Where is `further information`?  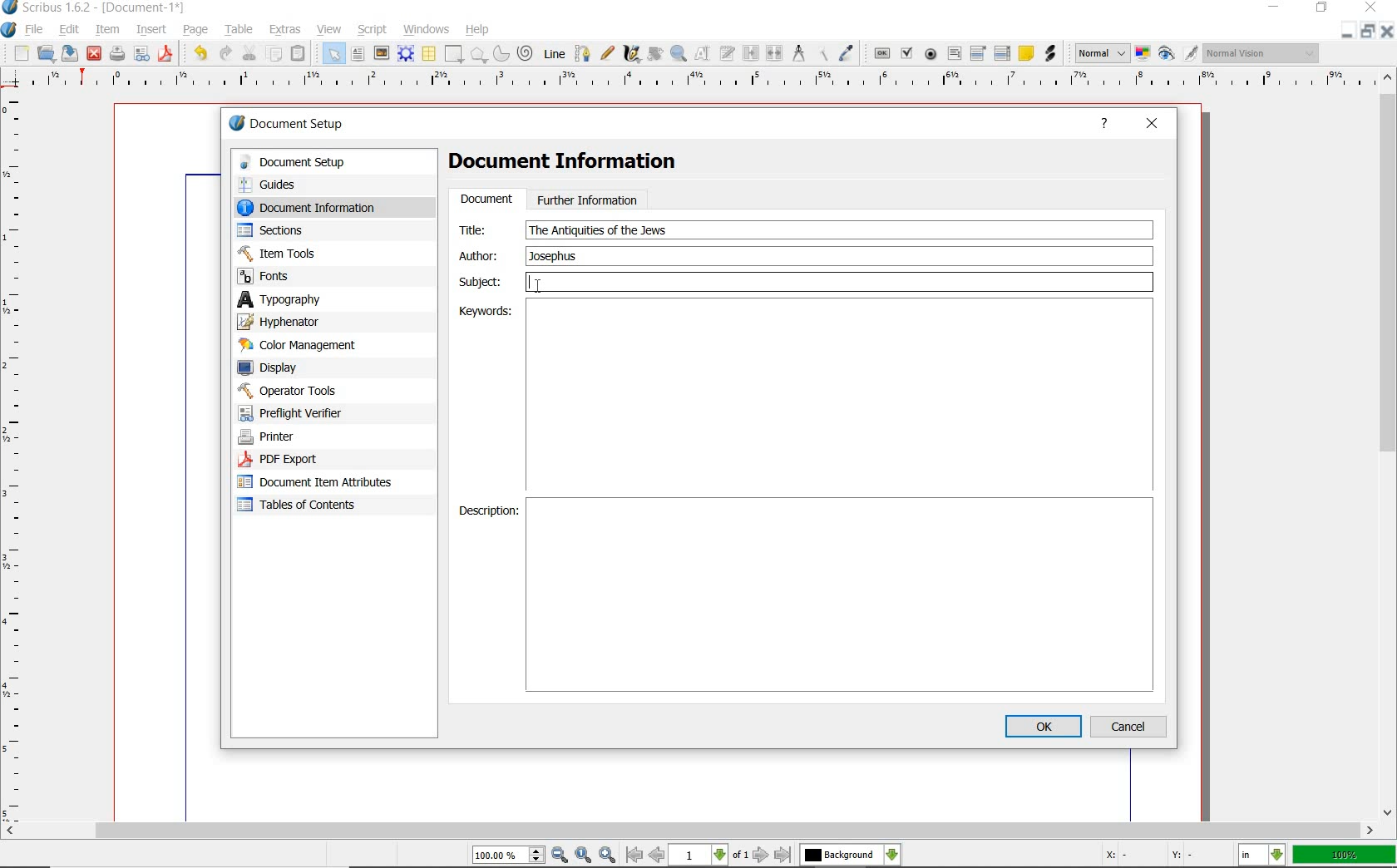
further information is located at coordinates (588, 199).